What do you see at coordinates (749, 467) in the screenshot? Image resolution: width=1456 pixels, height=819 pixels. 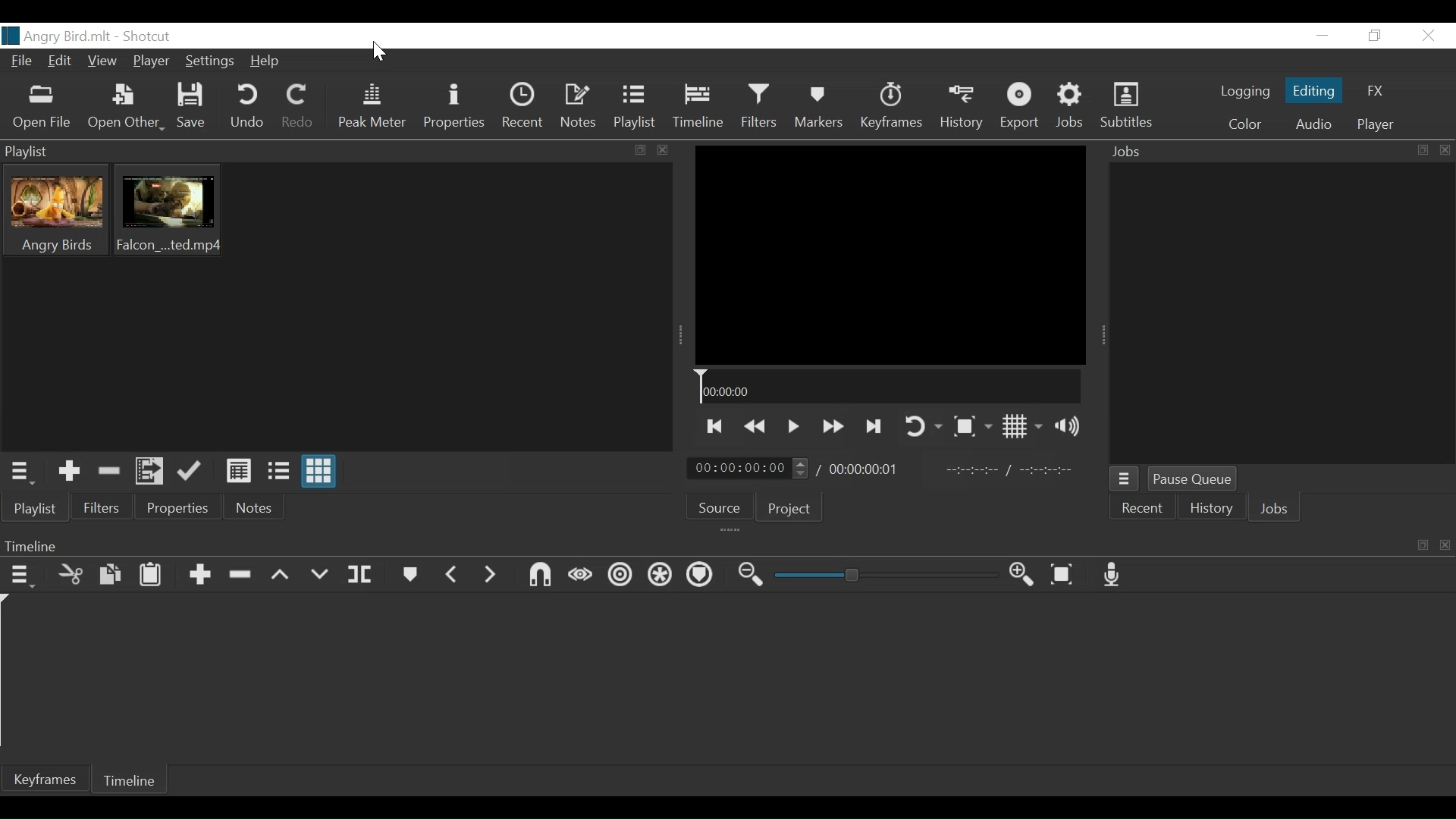 I see `Current position` at bounding box center [749, 467].